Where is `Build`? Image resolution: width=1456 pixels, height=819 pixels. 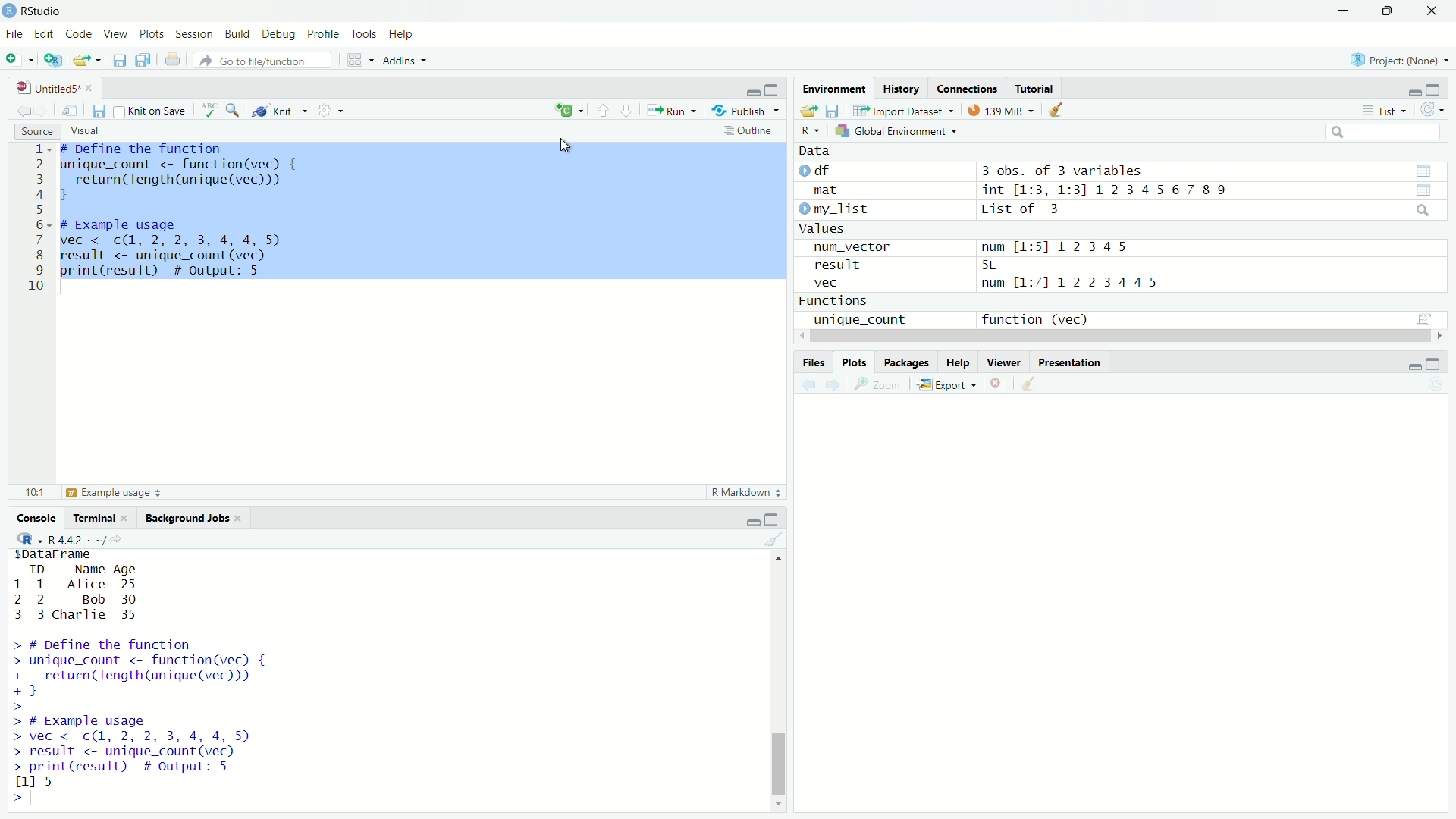 Build is located at coordinates (239, 35).